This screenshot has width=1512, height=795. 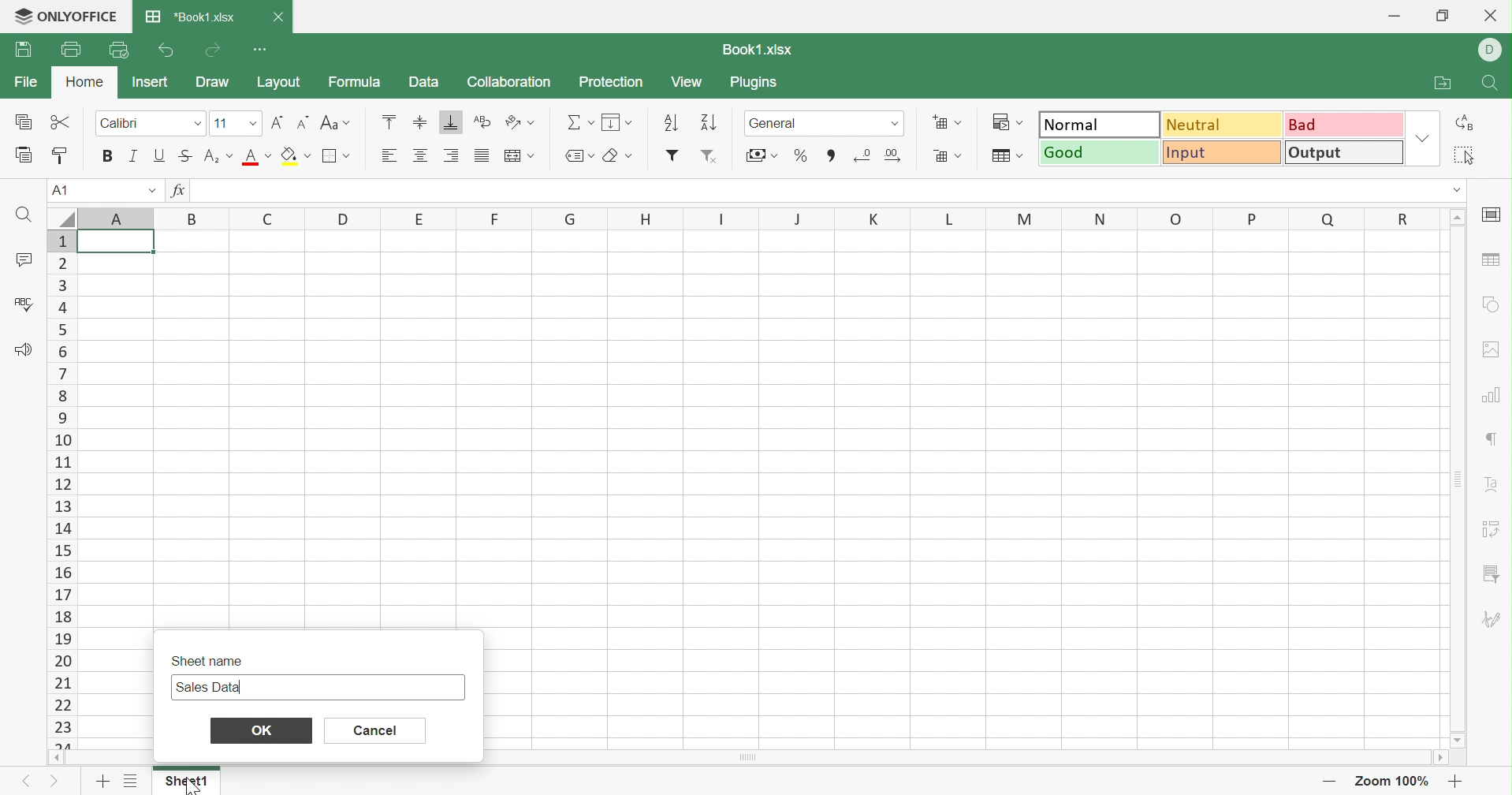 What do you see at coordinates (579, 118) in the screenshot?
I see `Summation` at bounding box center [579, 118].